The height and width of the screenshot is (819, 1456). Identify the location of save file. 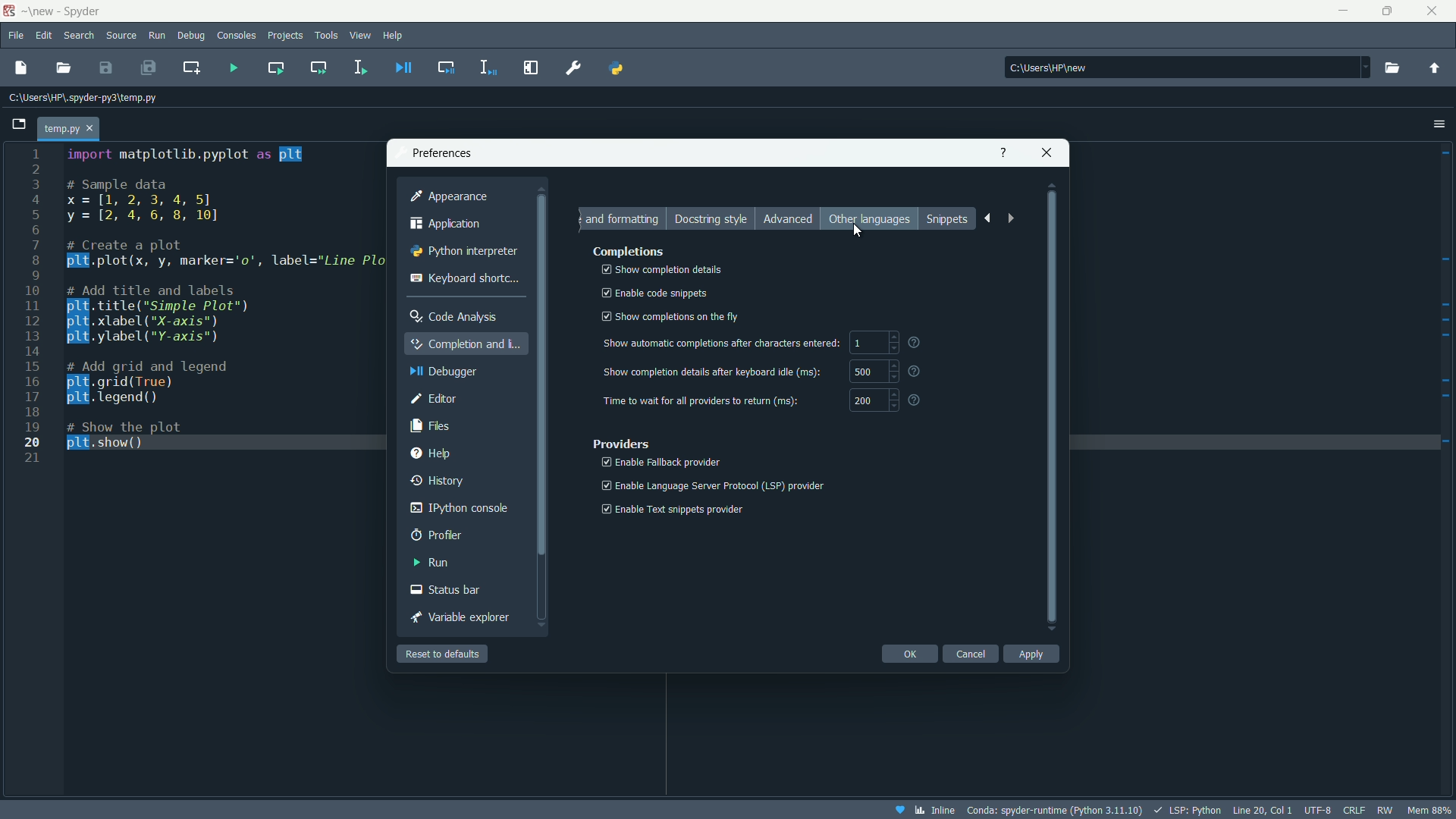
(106, 67).